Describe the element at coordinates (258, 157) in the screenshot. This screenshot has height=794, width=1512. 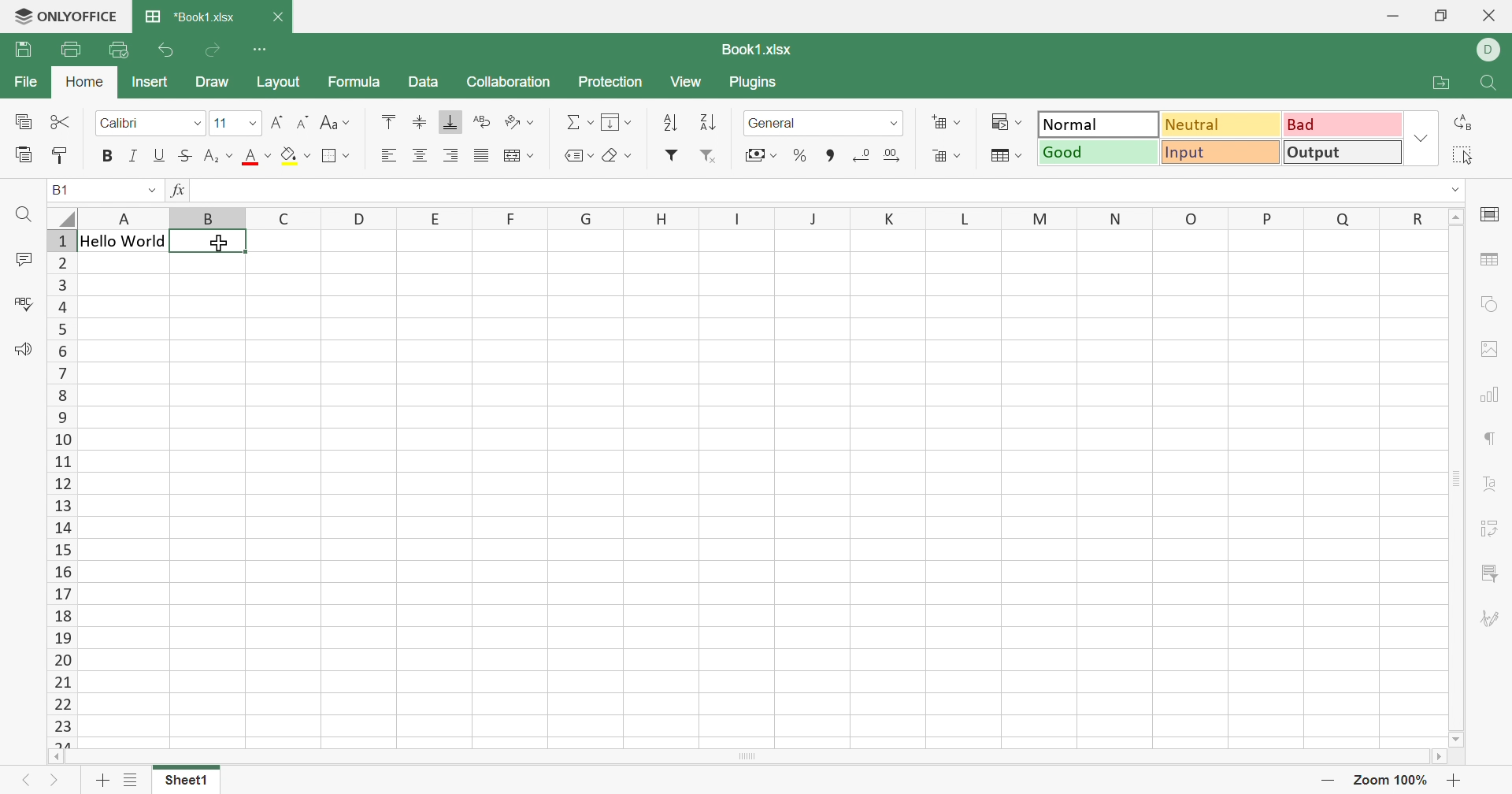
I see `Font color` at that location.